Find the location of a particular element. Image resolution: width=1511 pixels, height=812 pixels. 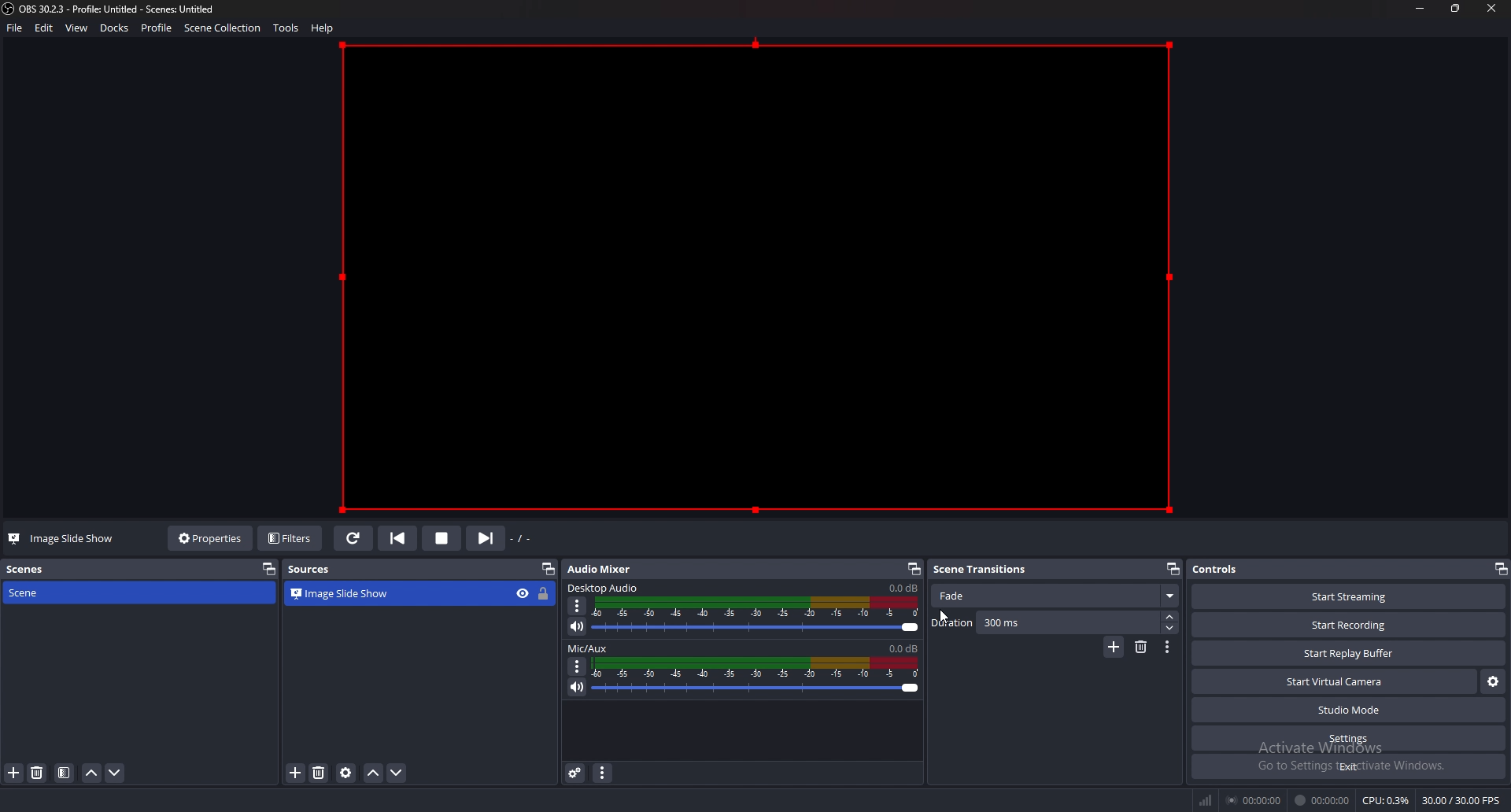

advanced audio properties is located at coordinates (574, 773).